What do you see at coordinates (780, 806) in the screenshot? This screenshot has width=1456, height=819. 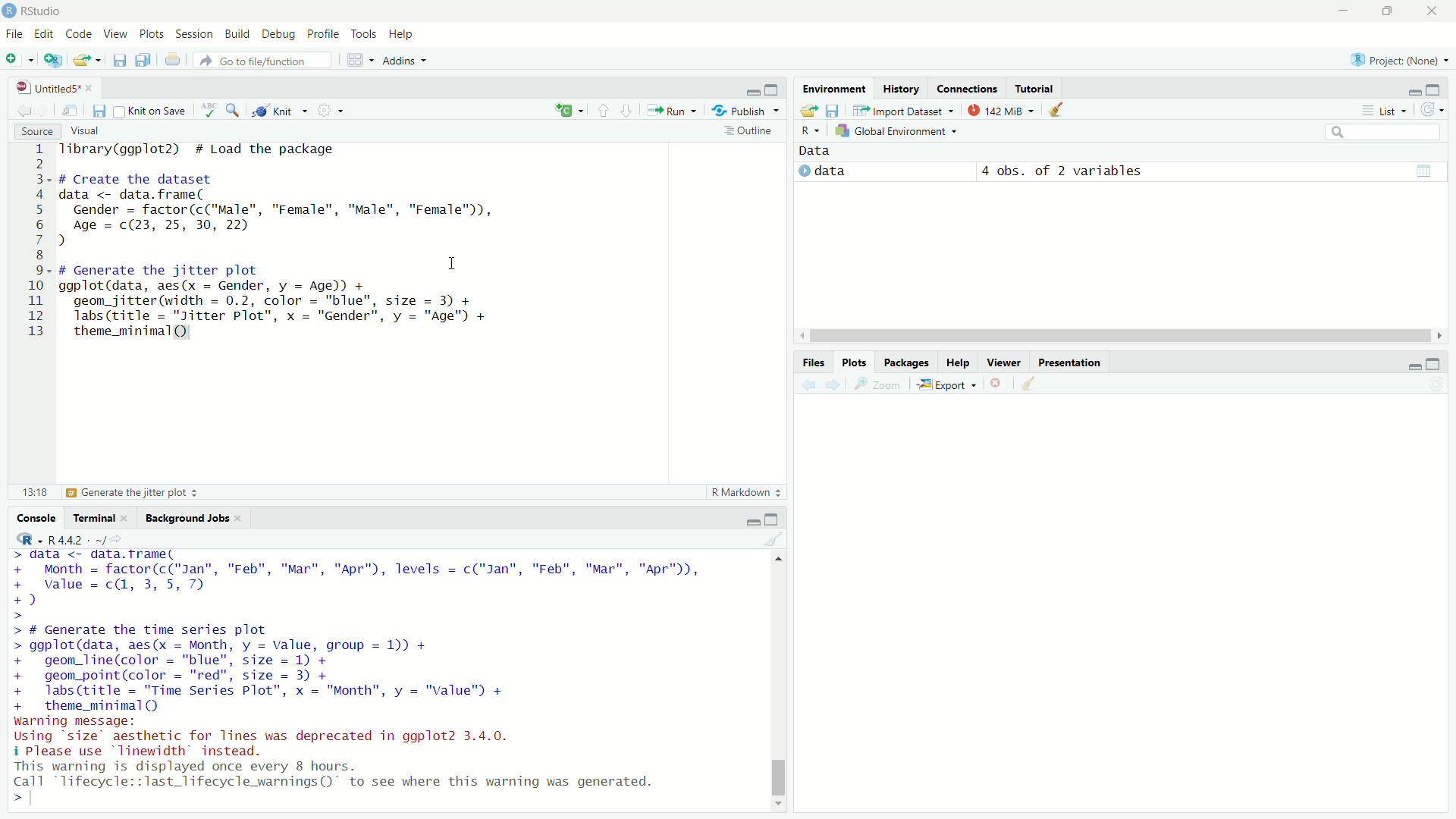 I see `move down ` at bounding box center [780, 806].